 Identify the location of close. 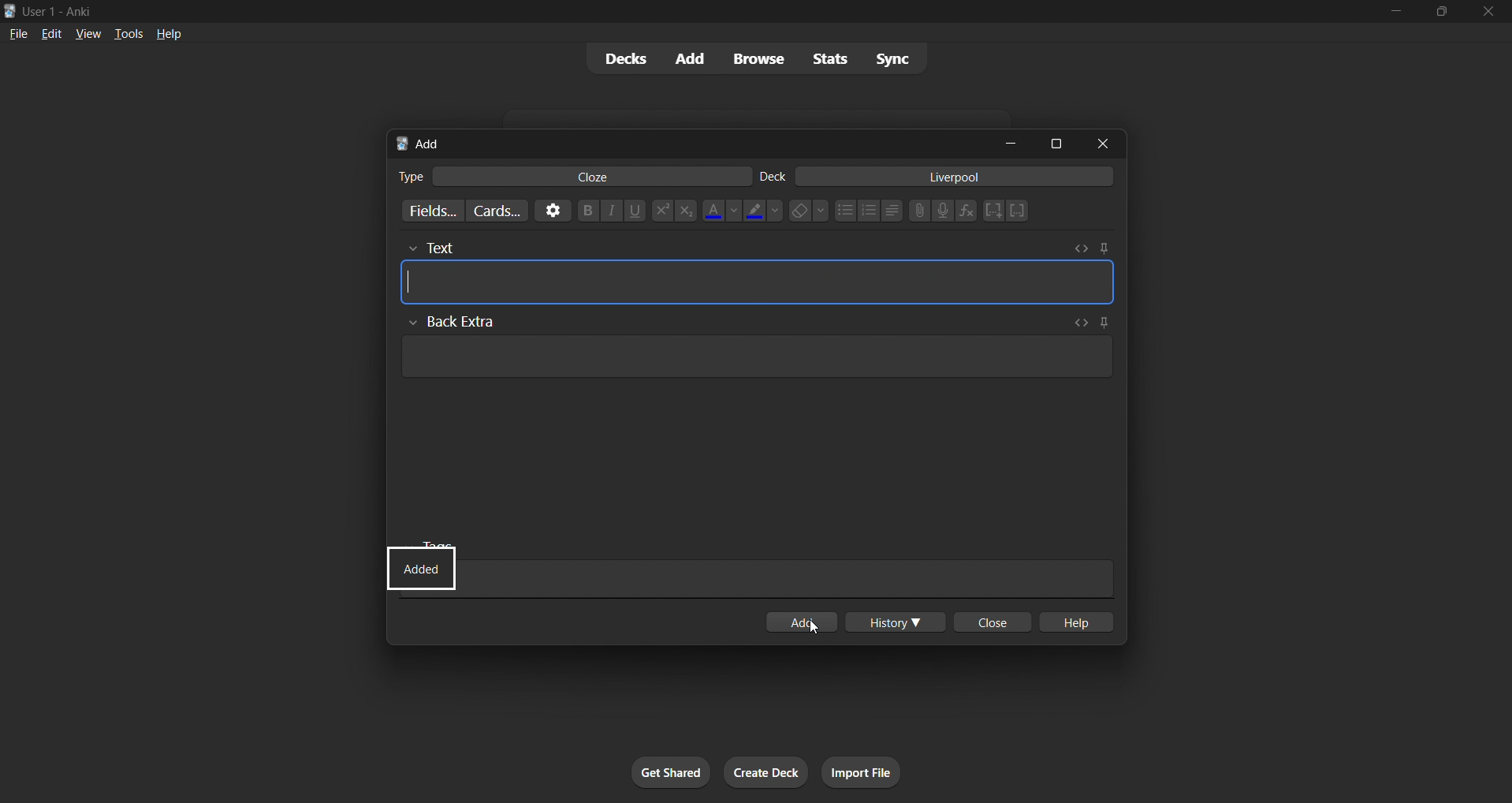
(1101, 142).